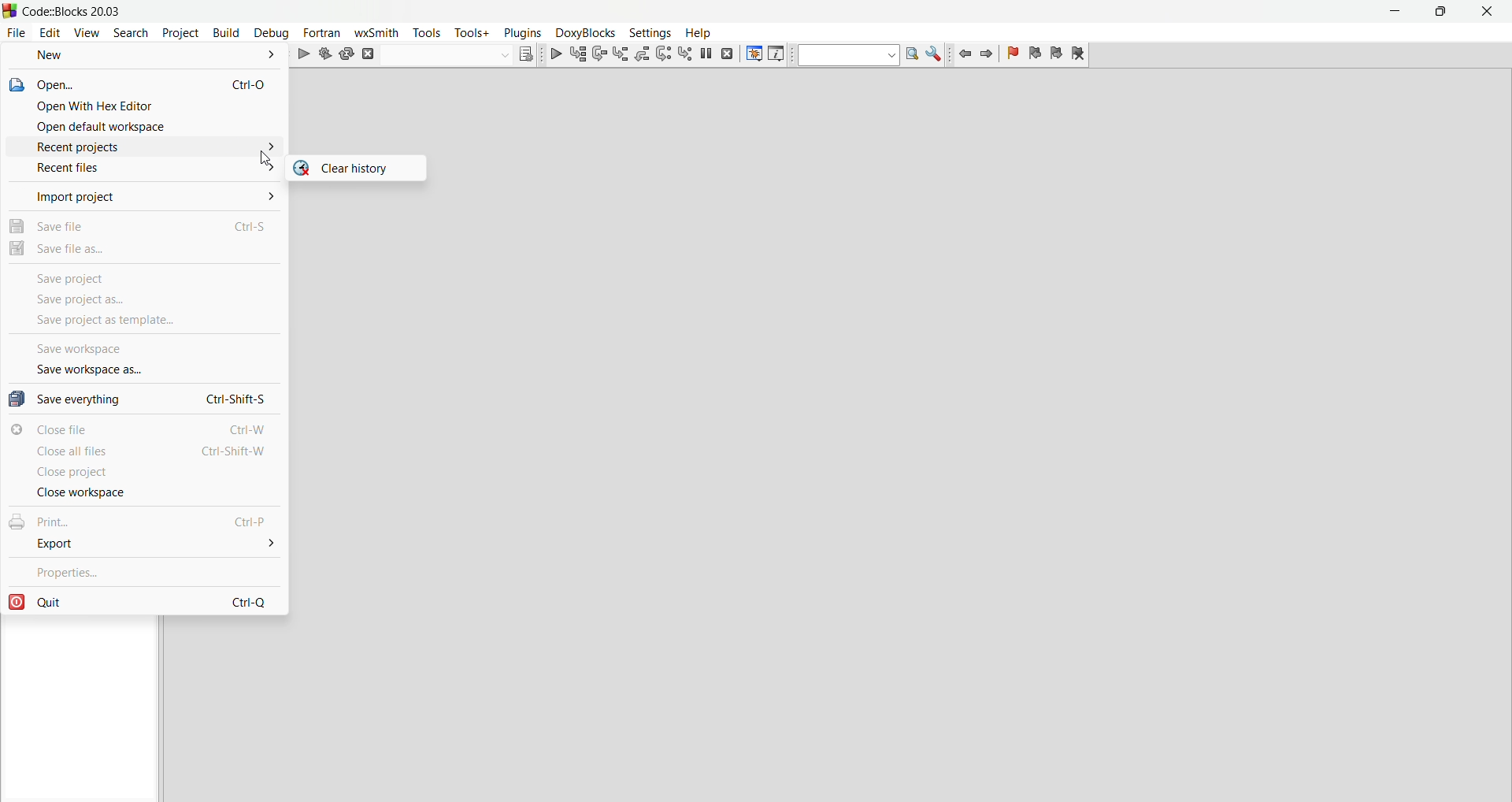 This screenshot has width=1512, height=802. What do you see at coordinates (144, 223) in the screenshot?
I see `save file` at bounding box center [144, 223].